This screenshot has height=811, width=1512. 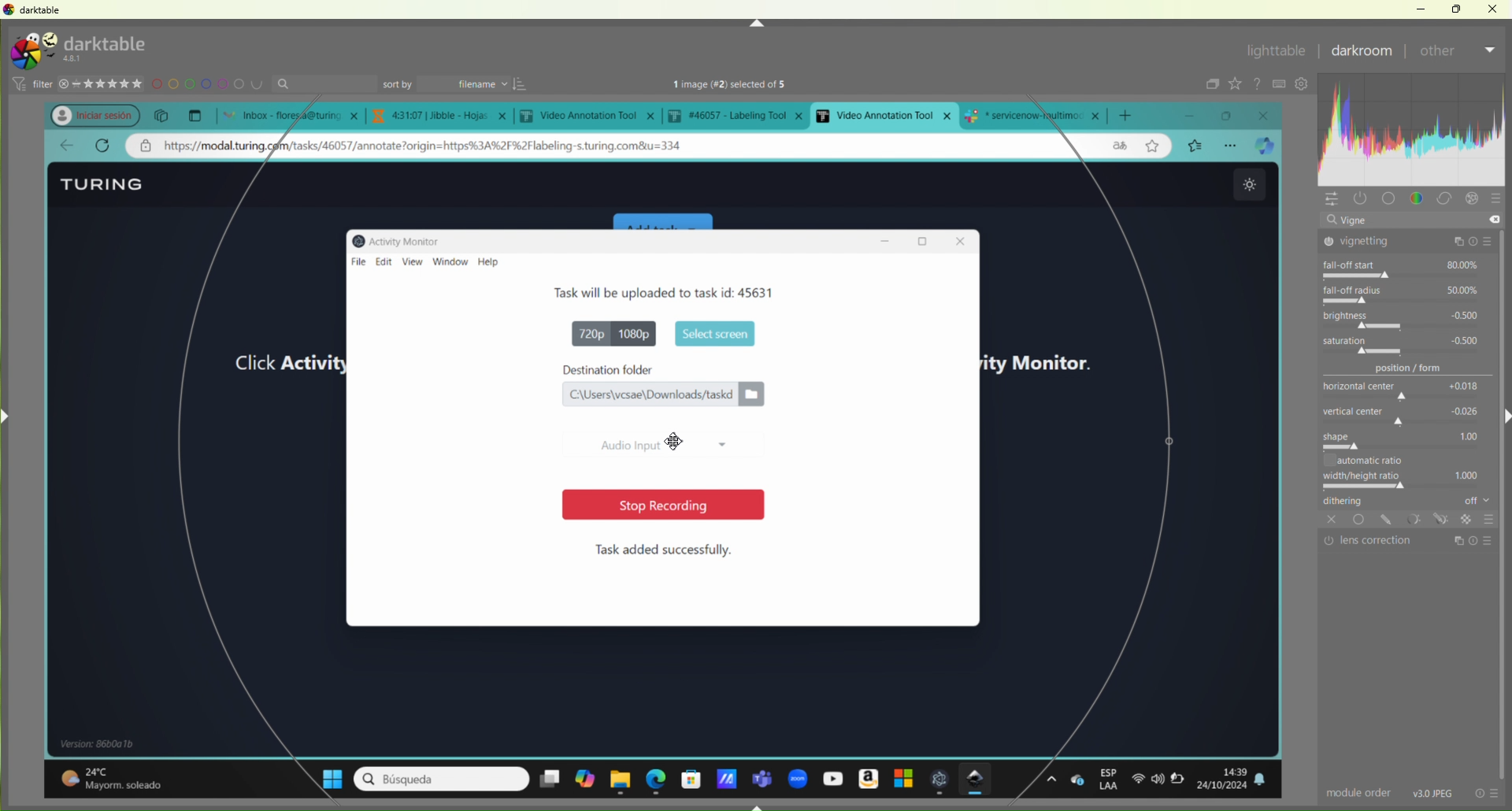 I want to click on , so click(x=1489, y=520).